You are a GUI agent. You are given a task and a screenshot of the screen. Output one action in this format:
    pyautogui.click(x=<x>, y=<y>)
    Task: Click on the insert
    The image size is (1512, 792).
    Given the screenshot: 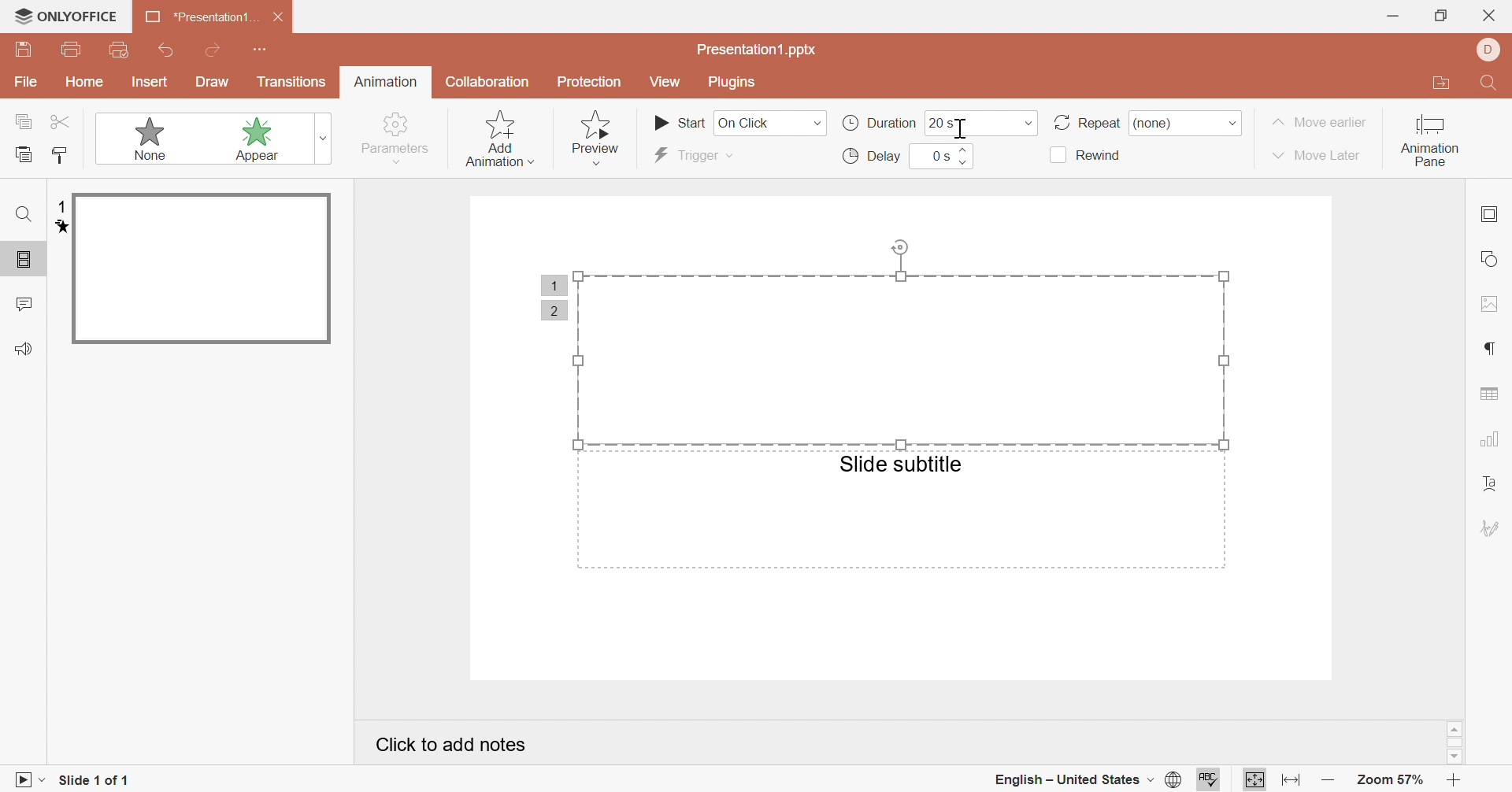 What is the action you would take?
    pyautogui.click(x=149, y=82)
    